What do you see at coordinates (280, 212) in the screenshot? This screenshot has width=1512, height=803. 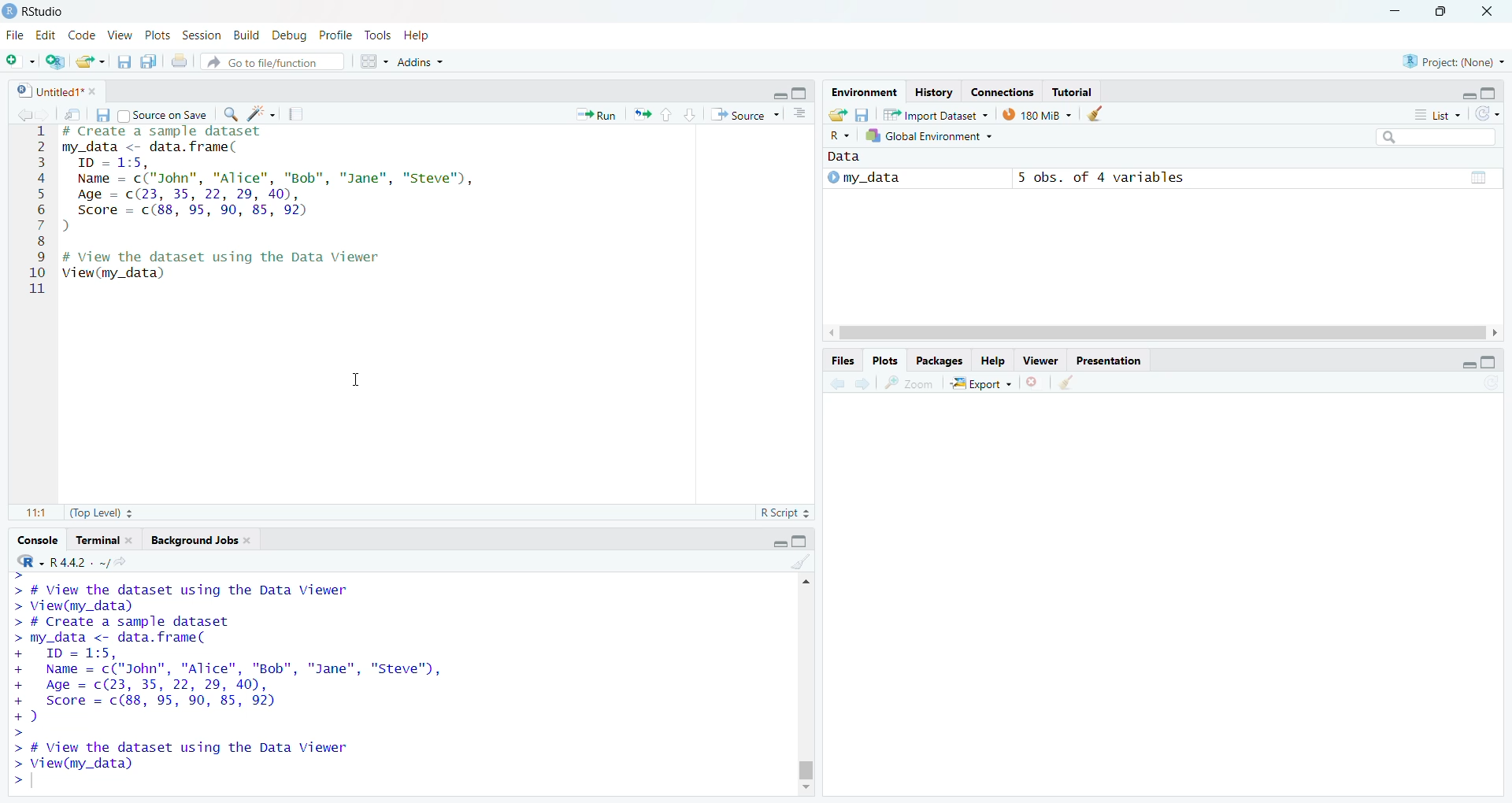 I see `# Create a sample dataset
my_data <- data.frame(
ID = 1:5,
Name = c("John", "Alice", "Bob", "Jane", "Steve"),
Age = (23, 35, 22, 29, 40),
Score = c(88, 95, 90, 85, 92)
)
# View the dataset using the Data Viewer
View(my_data)` at bounding box center [280, 212].